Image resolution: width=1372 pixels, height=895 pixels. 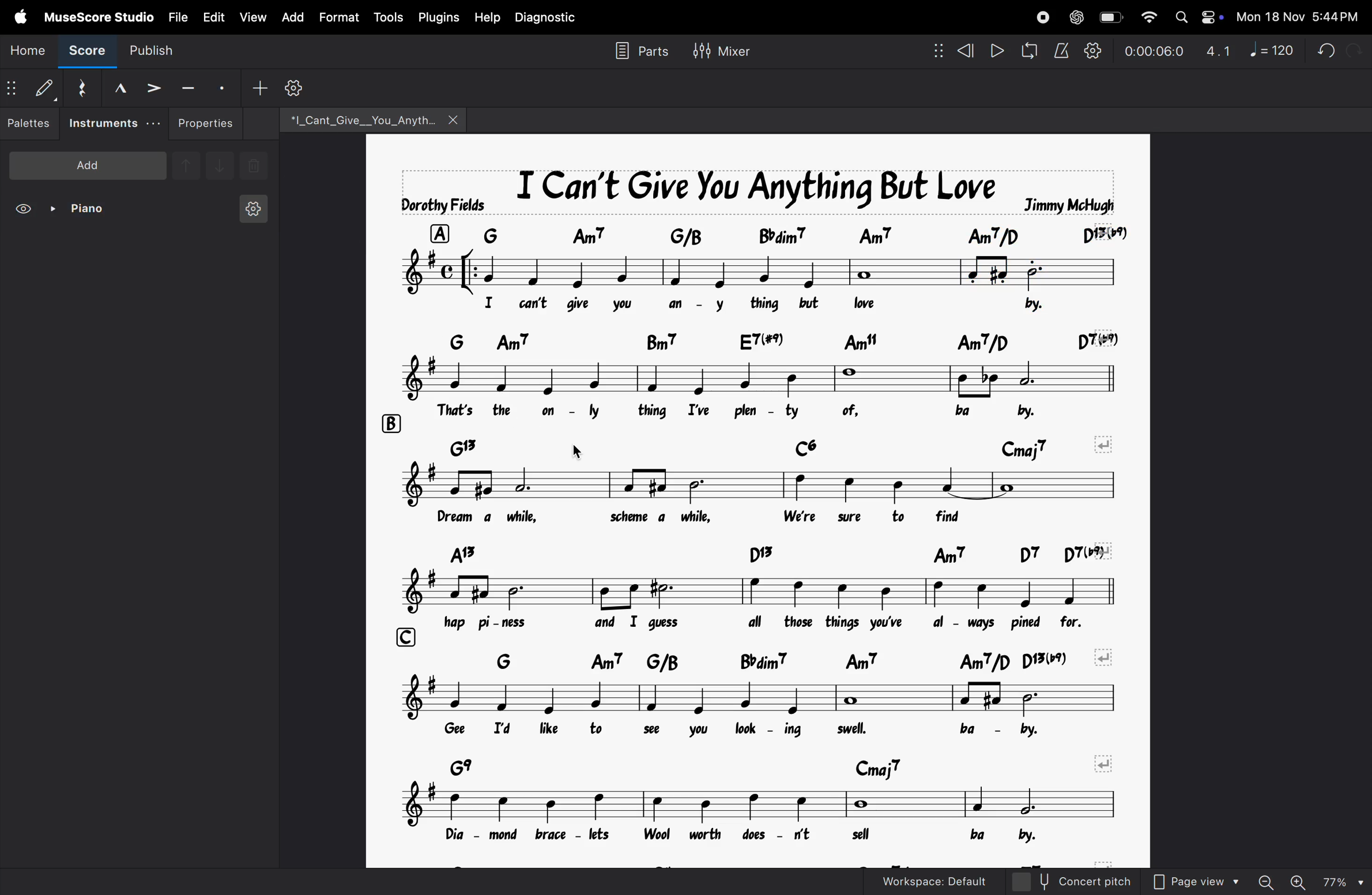 What do you see at coordinates (1061, 50) in the screenshot?
I see `metronome` at bounding box center [1061, 50].